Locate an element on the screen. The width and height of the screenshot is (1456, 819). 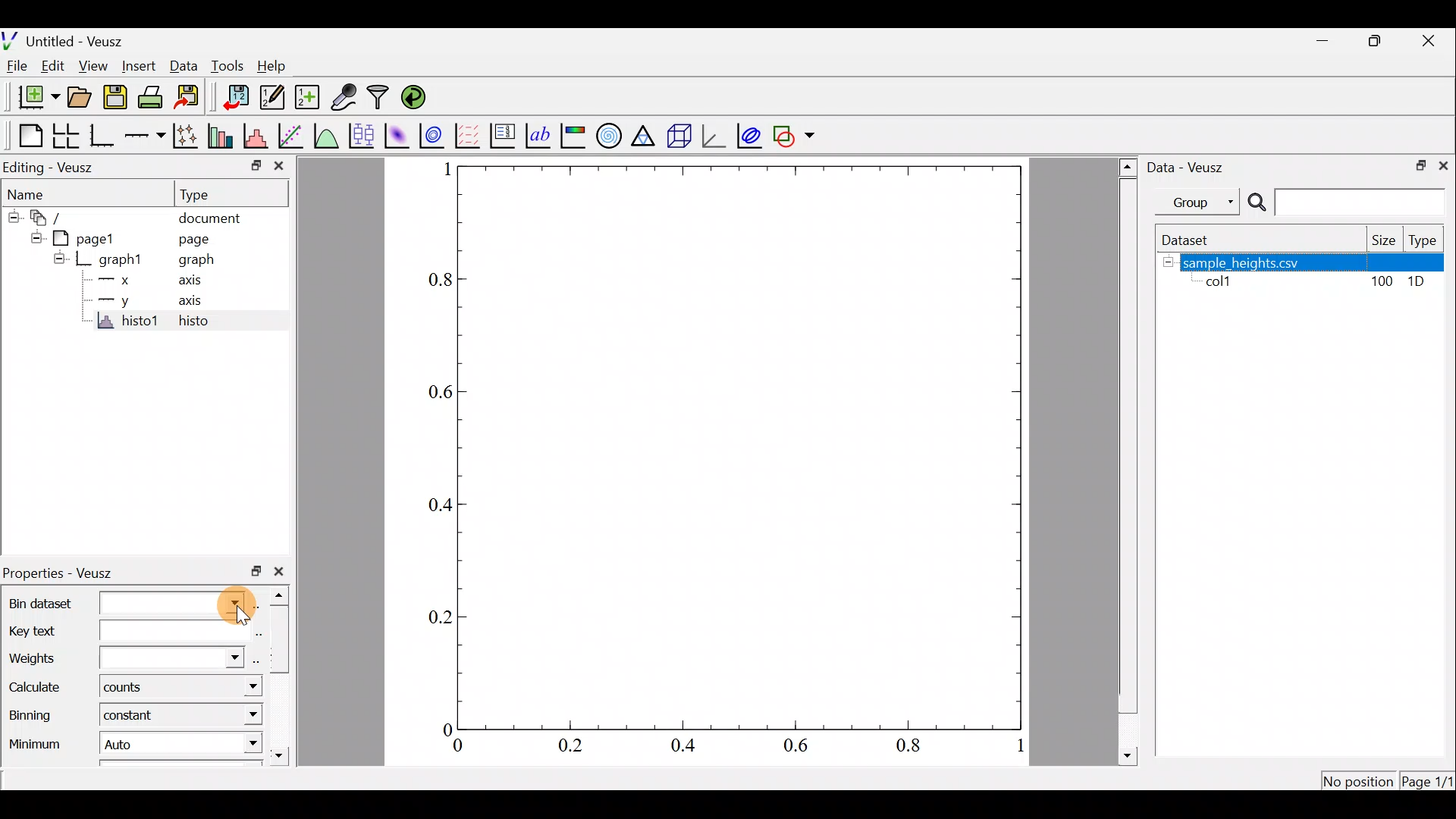
import data into Veusz is located at coordinates (234, 96).